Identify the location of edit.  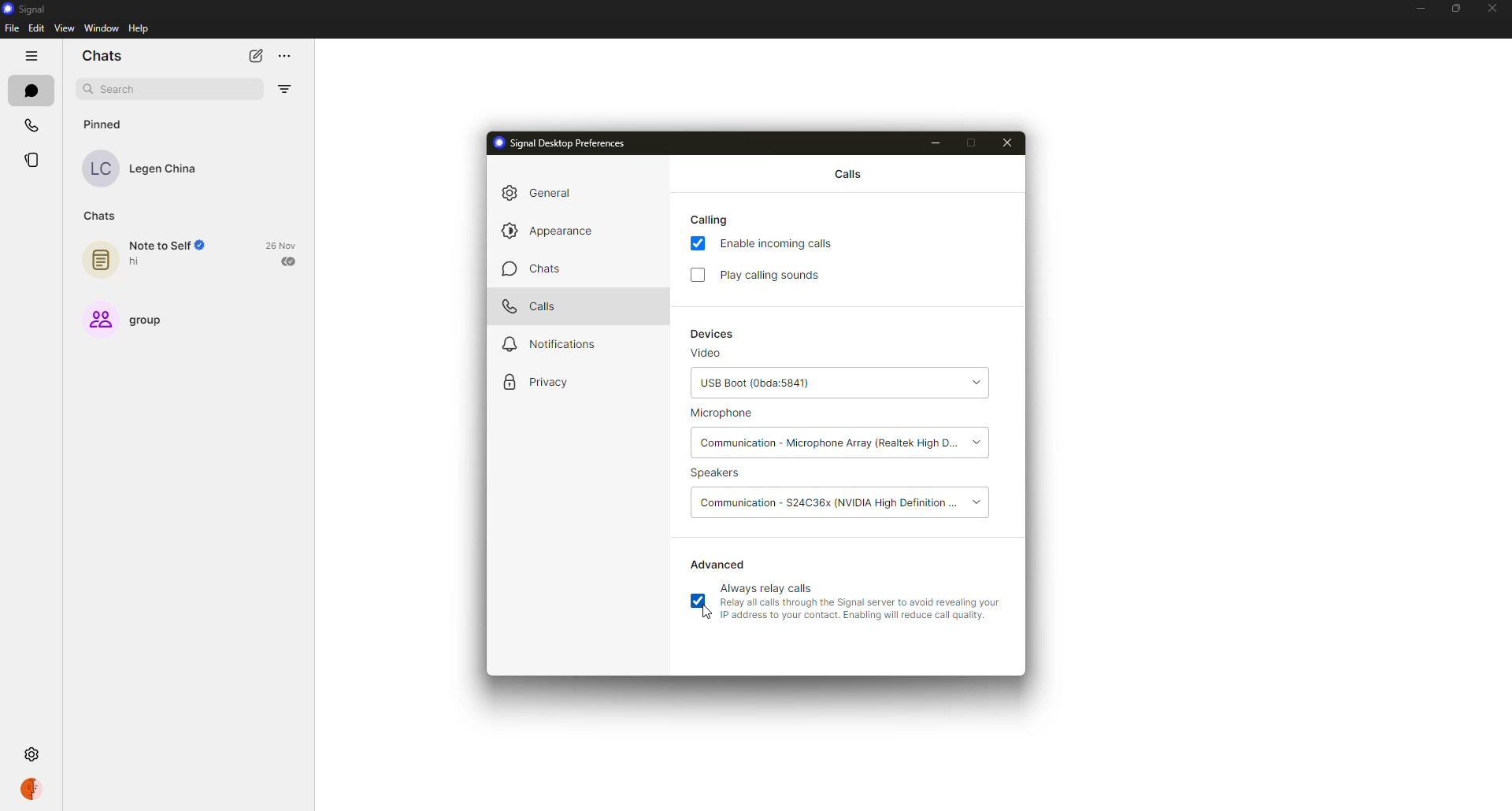
(35, 30).